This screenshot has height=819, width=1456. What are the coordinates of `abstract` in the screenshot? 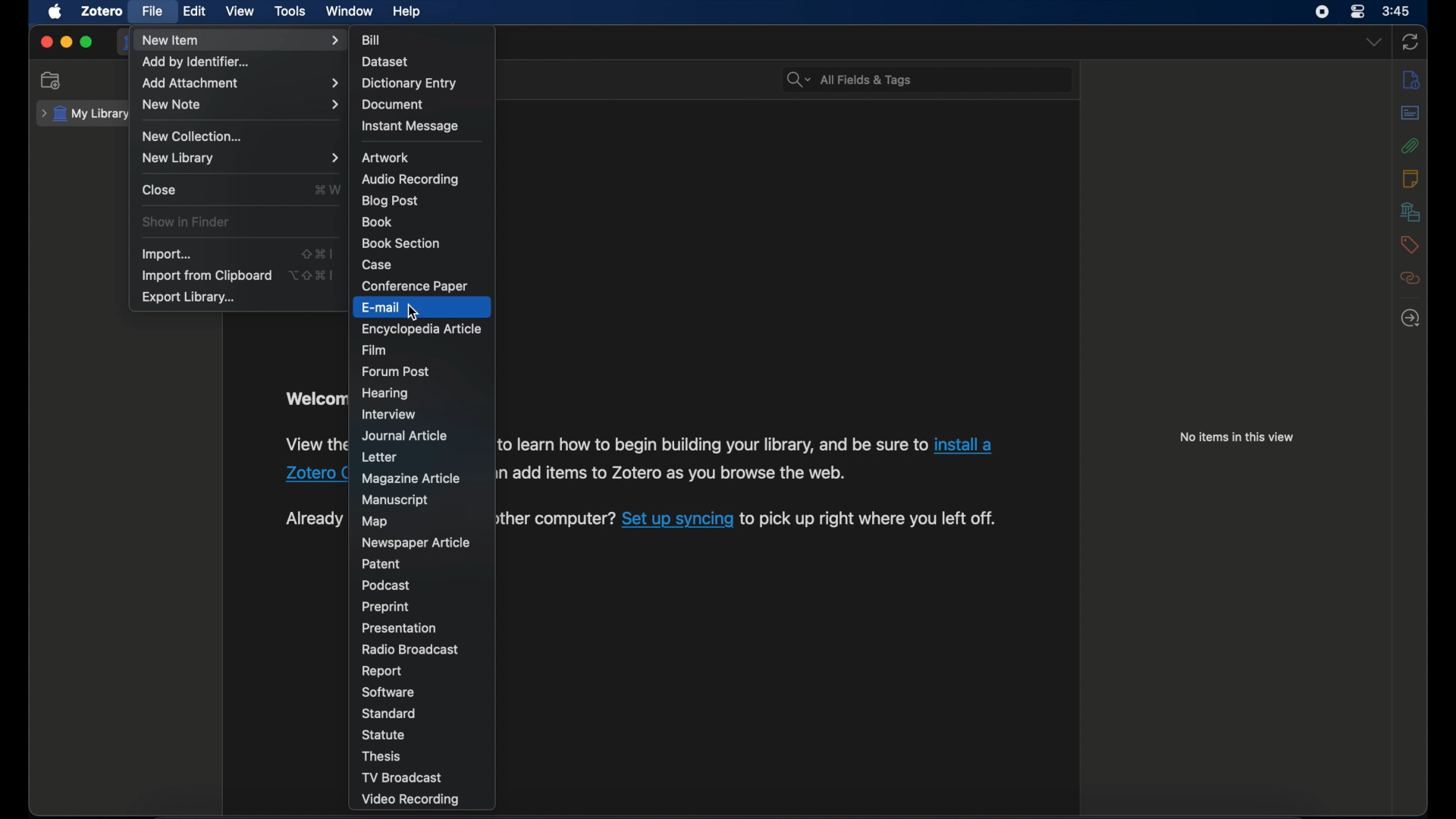 It's located at (1410, 111).